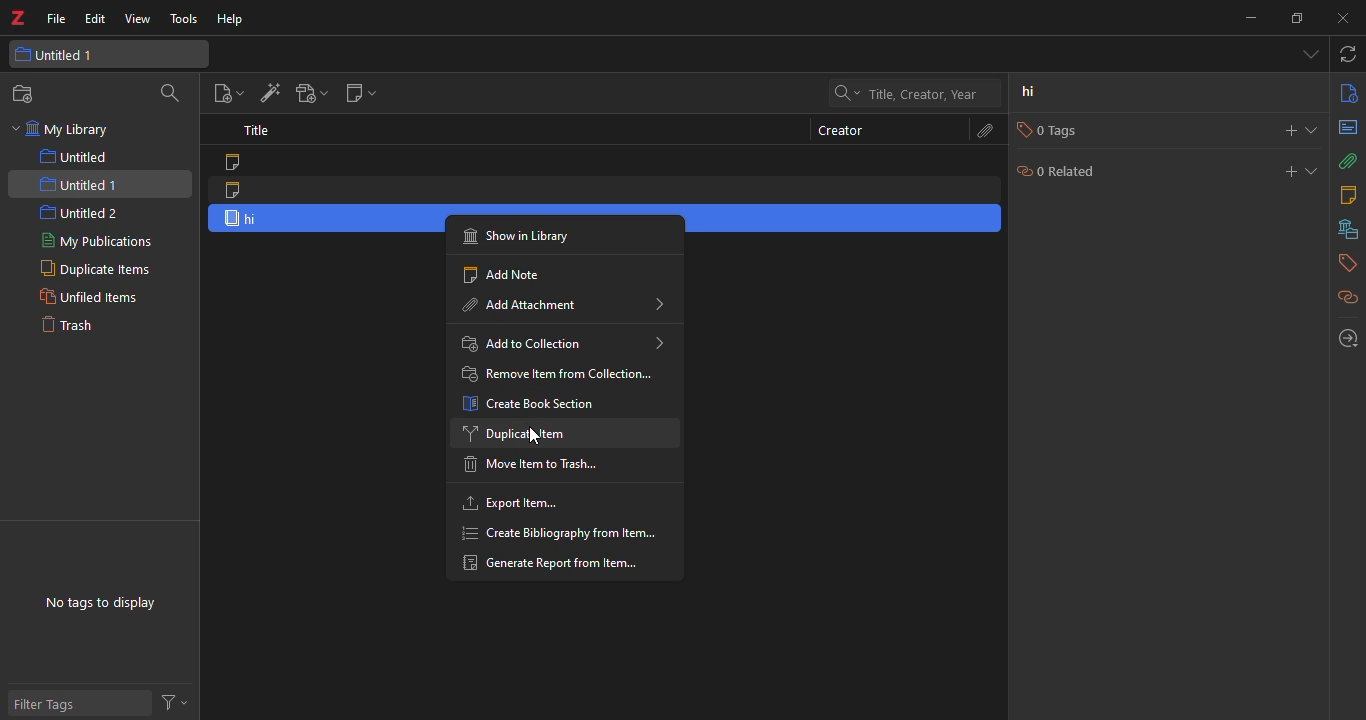  Describe the element at coordinates (78, 213) in the screenshot. I see `untitled 2` at that location.